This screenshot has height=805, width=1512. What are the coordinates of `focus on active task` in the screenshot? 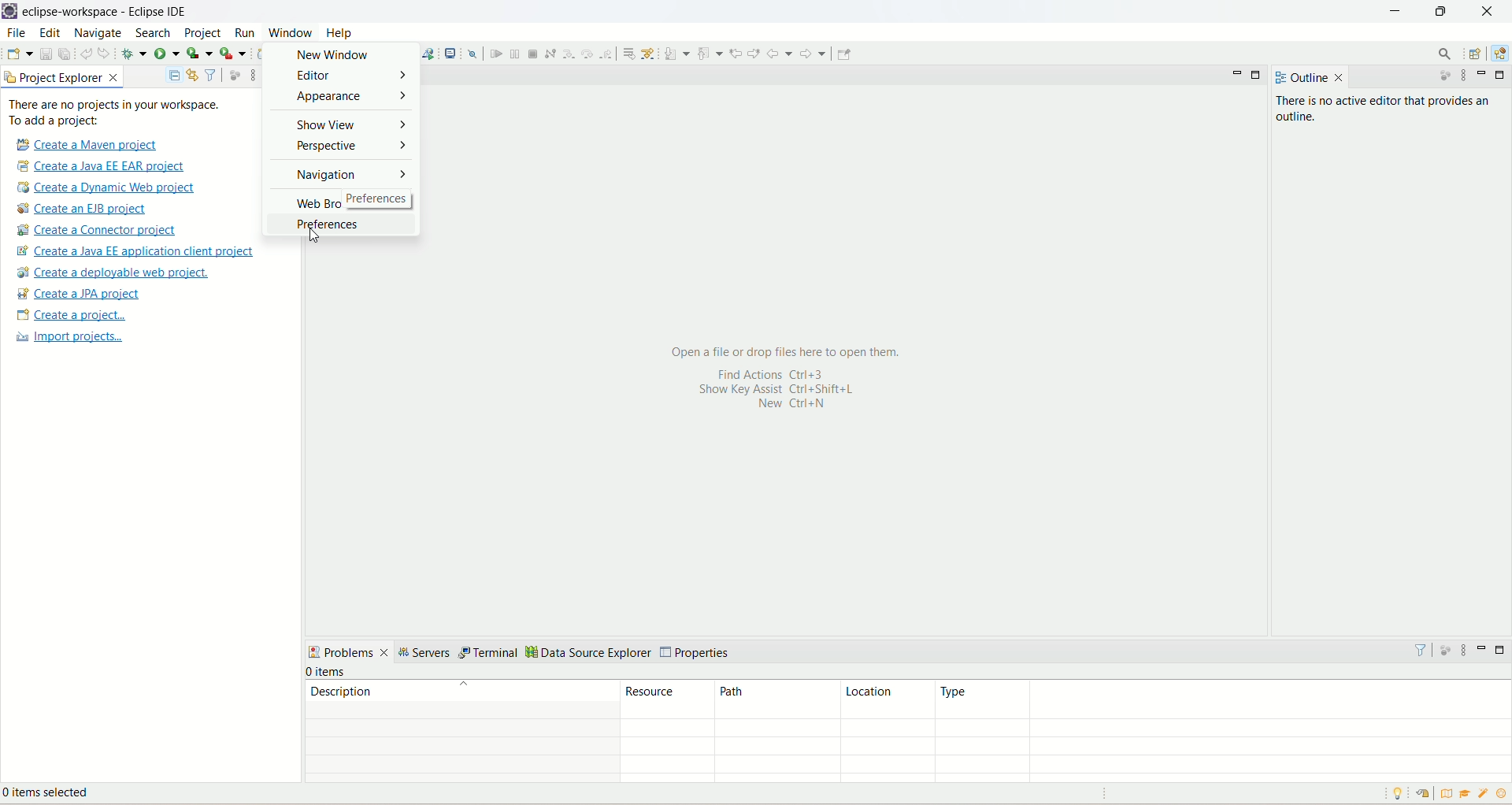 It's located at (1439, 77).